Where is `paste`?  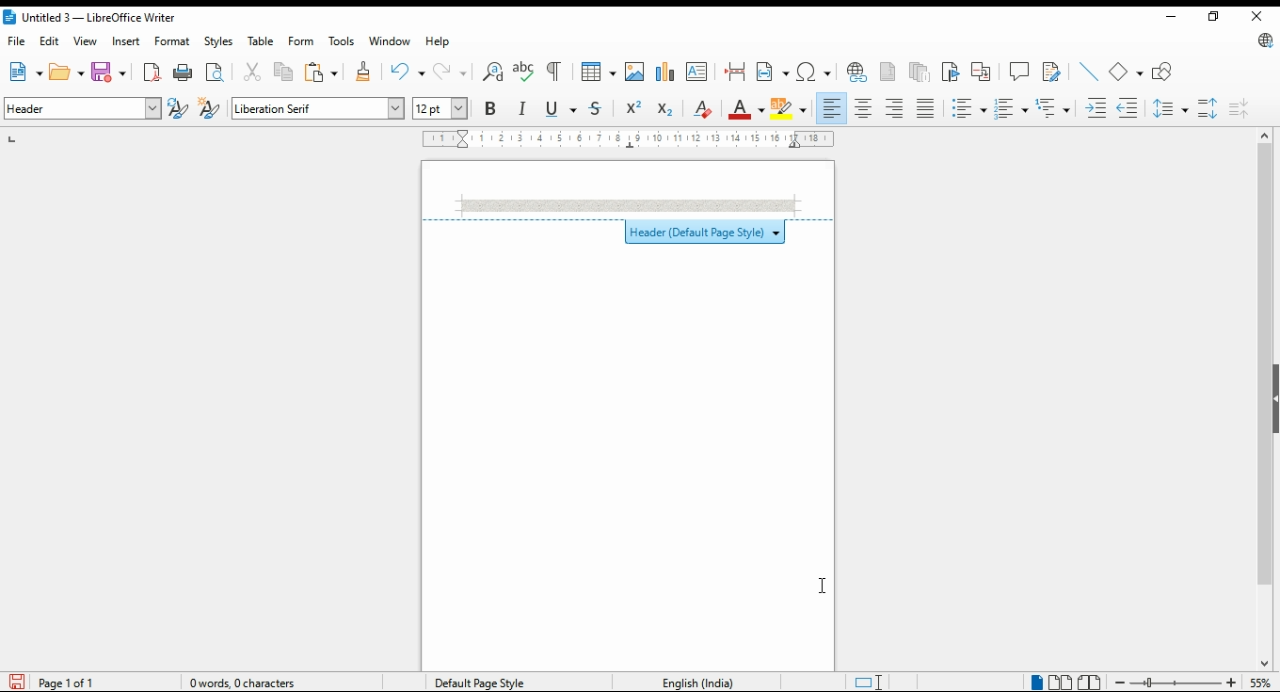
paste is located at coordinates (322, 72).